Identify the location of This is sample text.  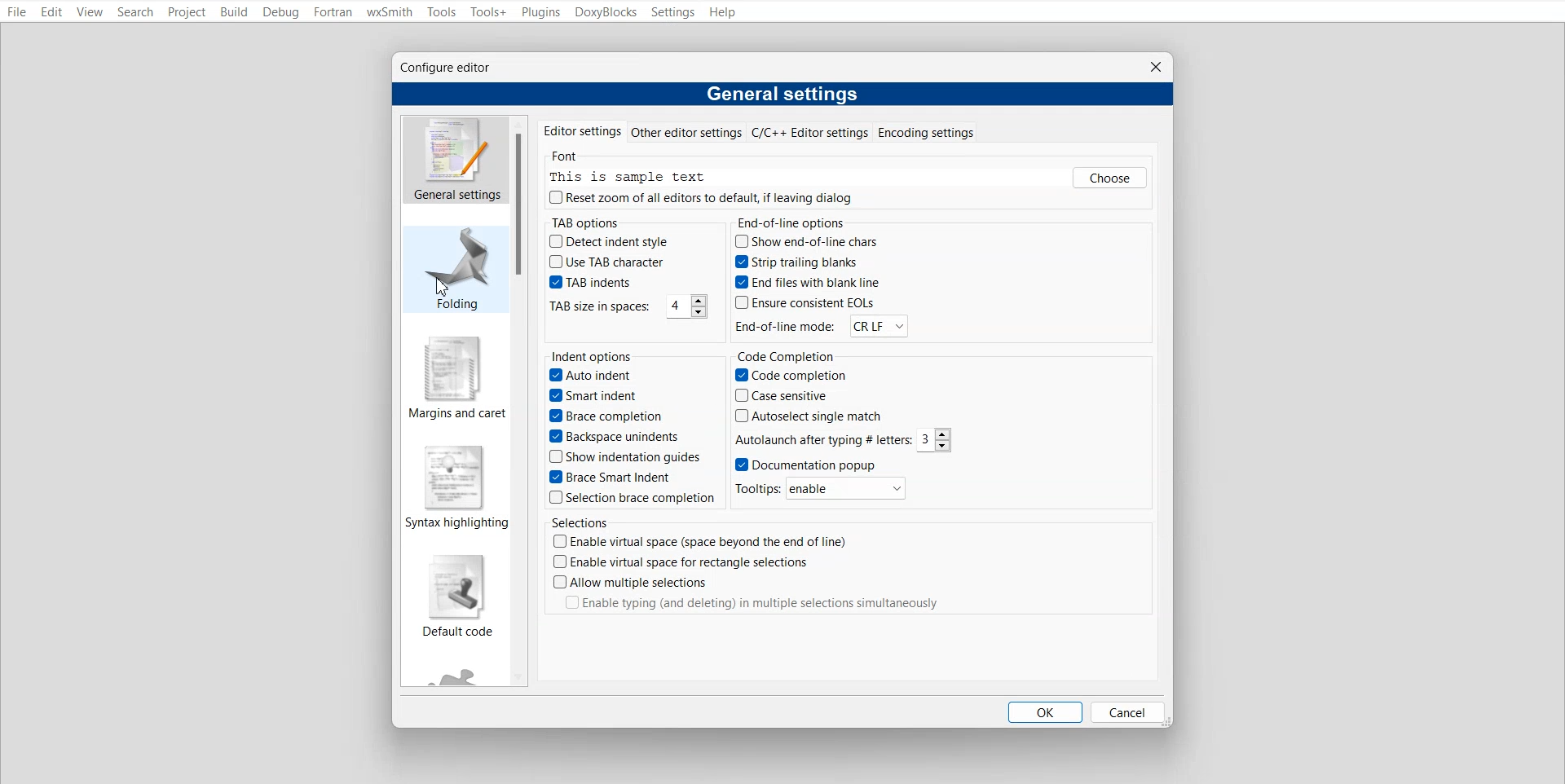
(633, 176).